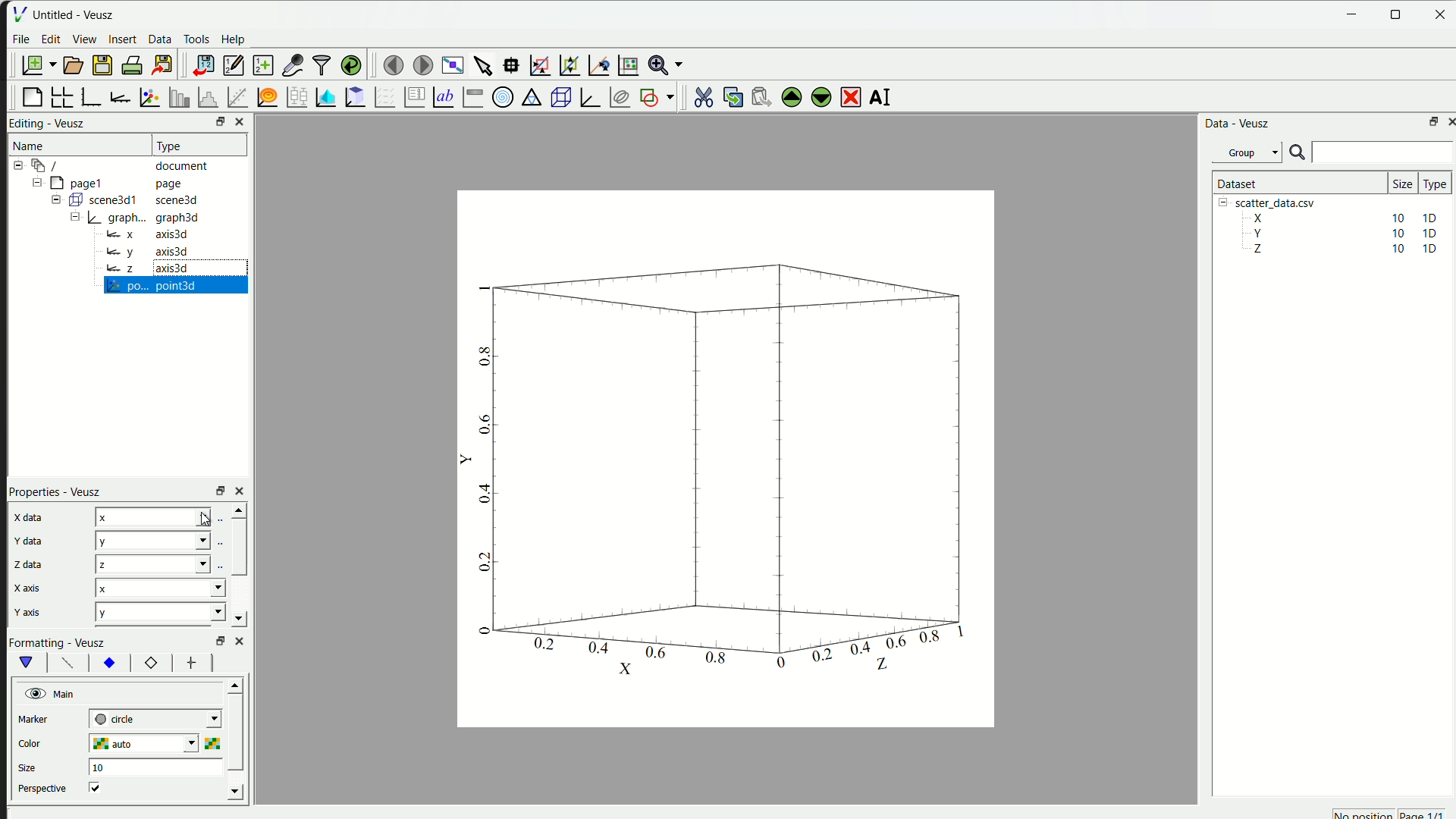 Image resolution: width=1456 pixels, height=819 pixels. What do you see at coordinates (39, 719) in the screenshot?
I see `marker` at bounding box center [39, 719].